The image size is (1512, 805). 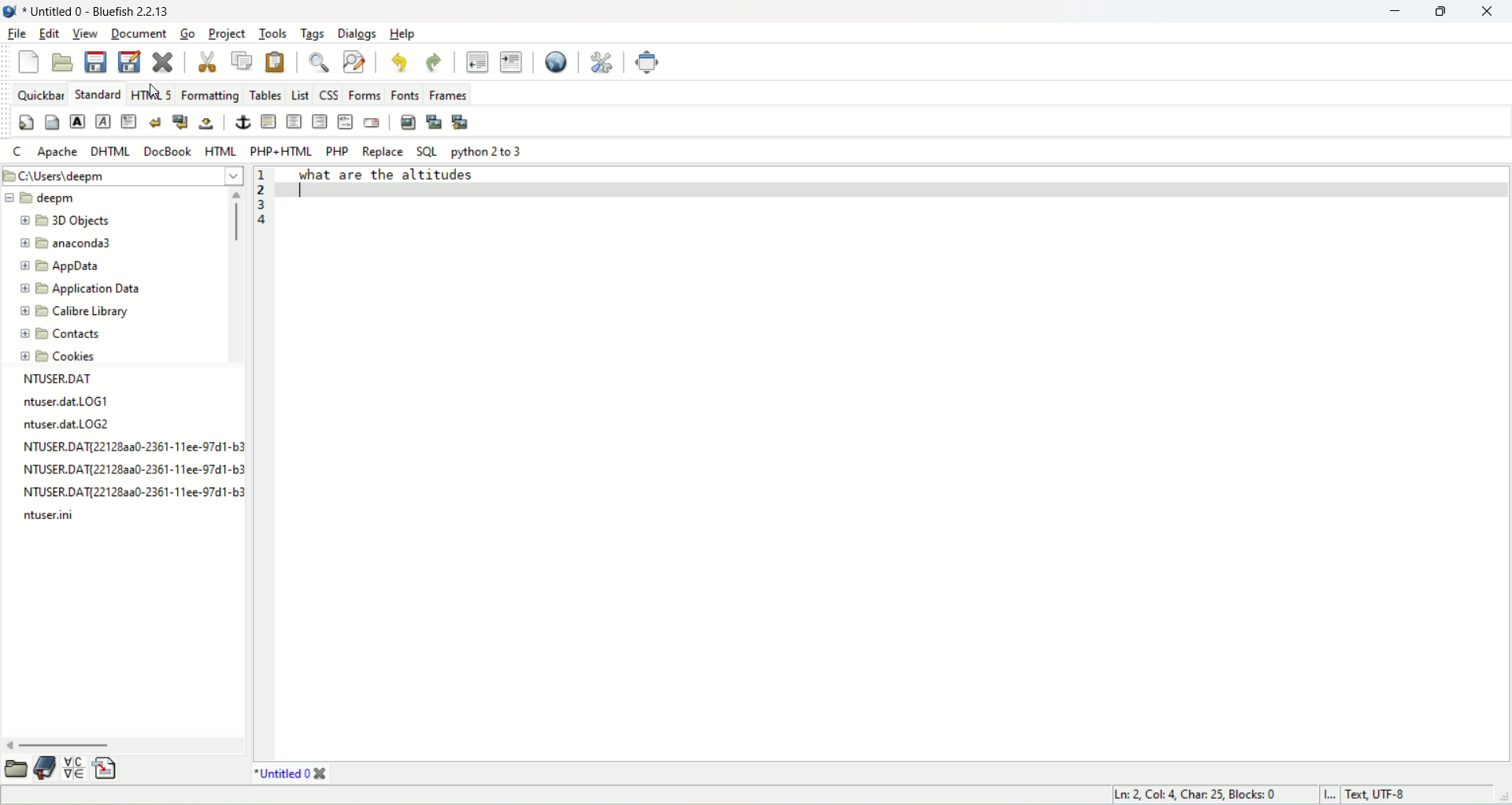 I want to click on I, so click(x=1331, y=796).